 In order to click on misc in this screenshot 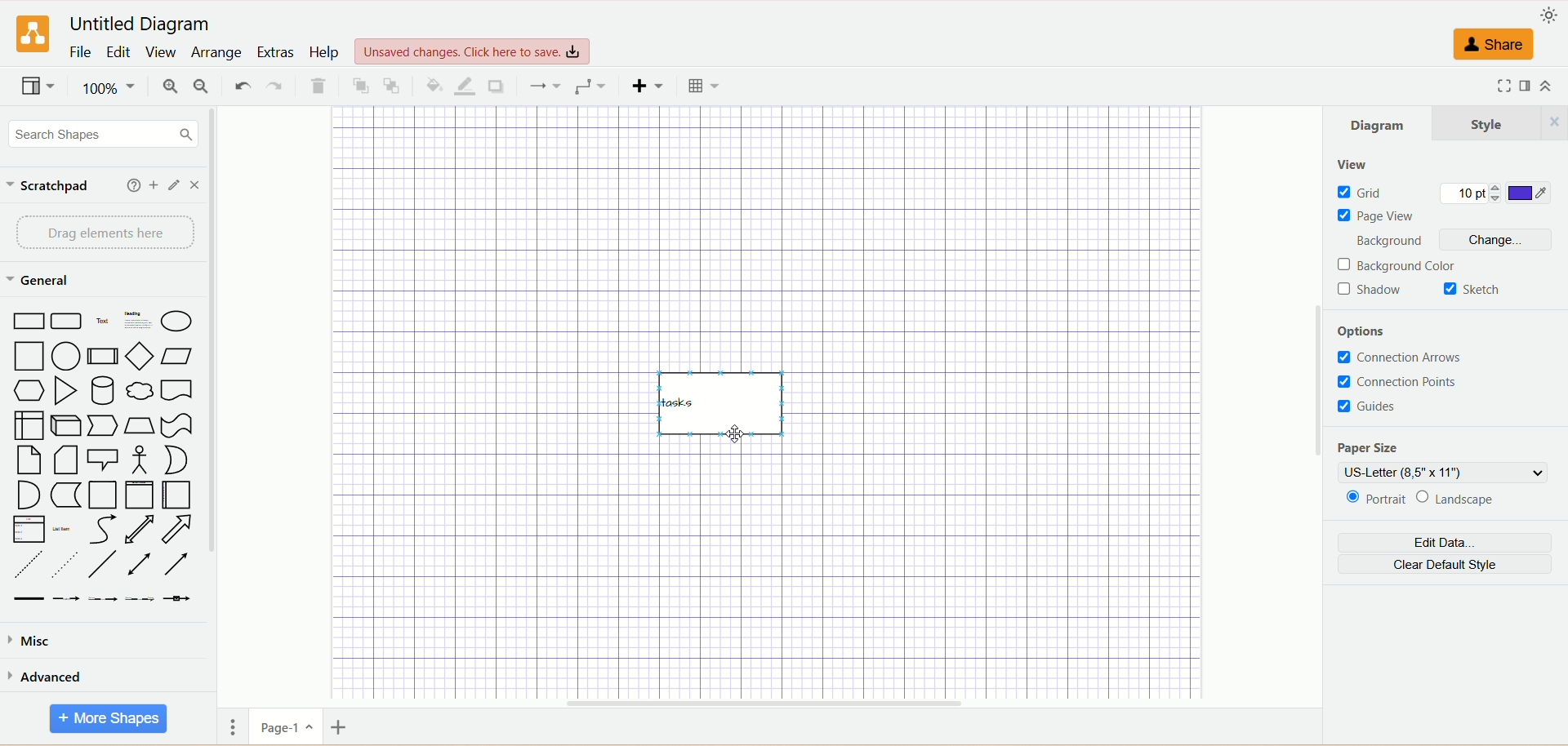, I will do `click(33, 642)`.